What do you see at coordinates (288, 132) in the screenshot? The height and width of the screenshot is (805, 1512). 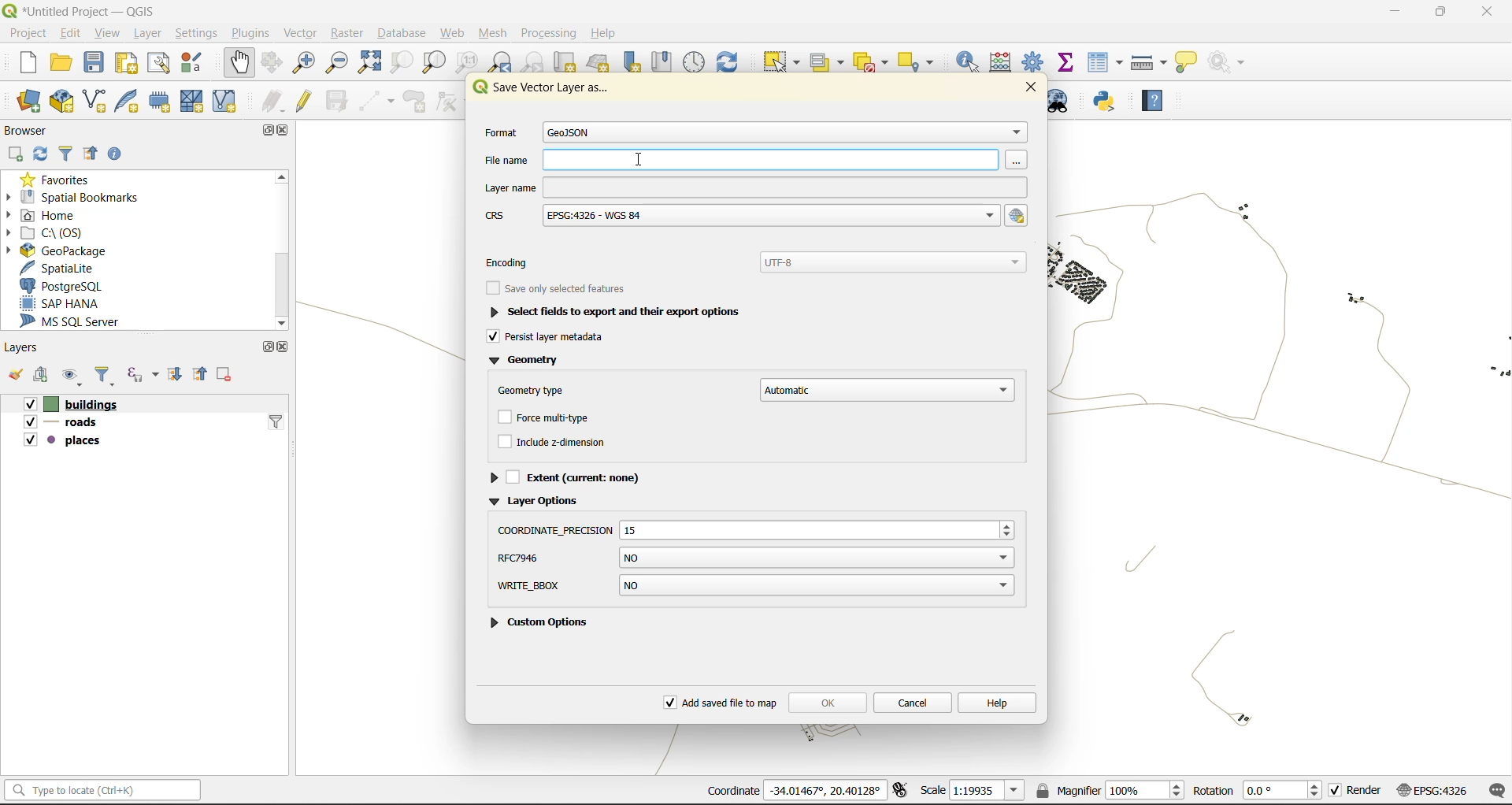 I see `close` at bounding box center [288, 132].